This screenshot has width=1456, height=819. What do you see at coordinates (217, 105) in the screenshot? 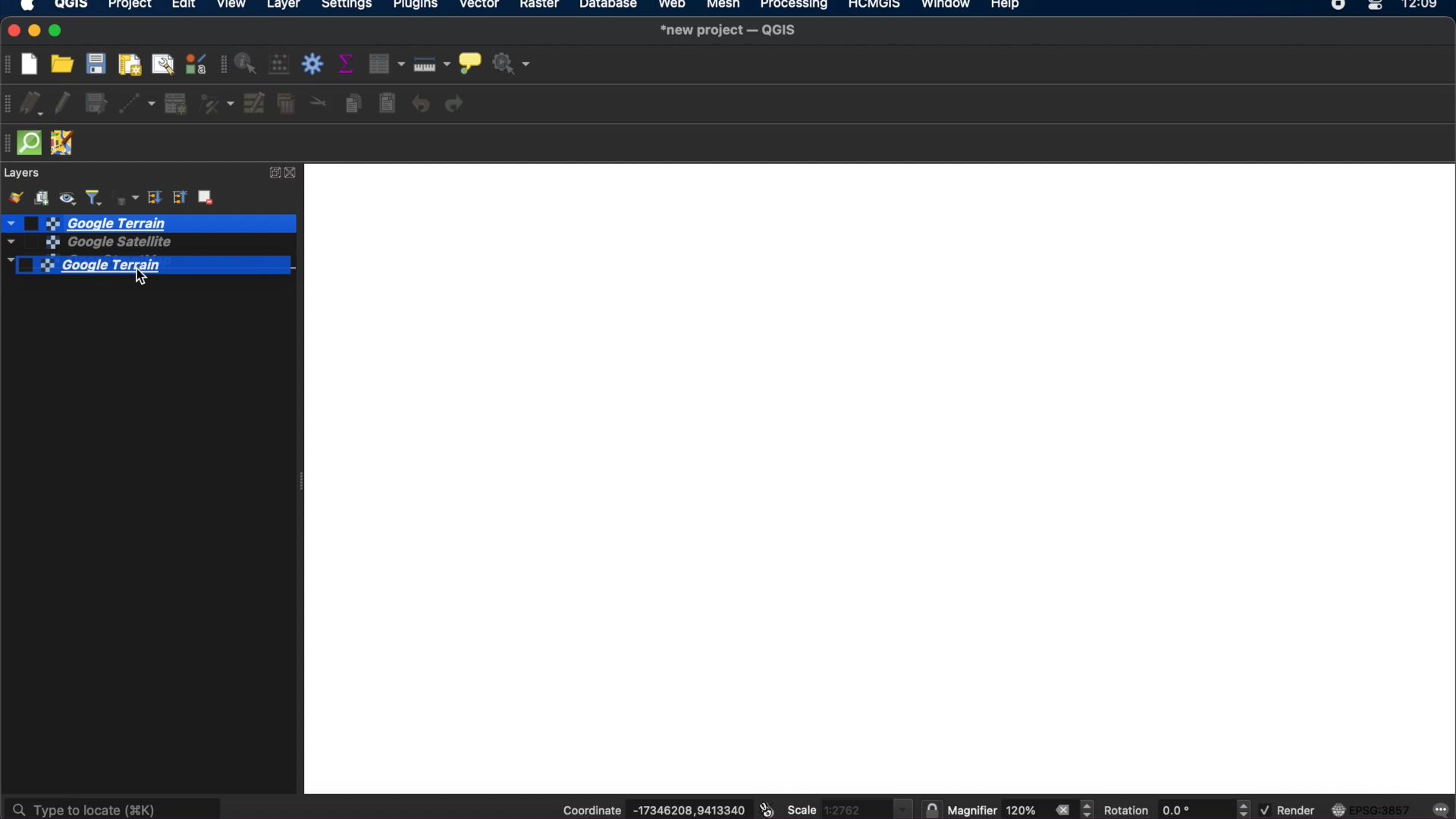
I see `vertex tool` at bounding box center [217, 105].